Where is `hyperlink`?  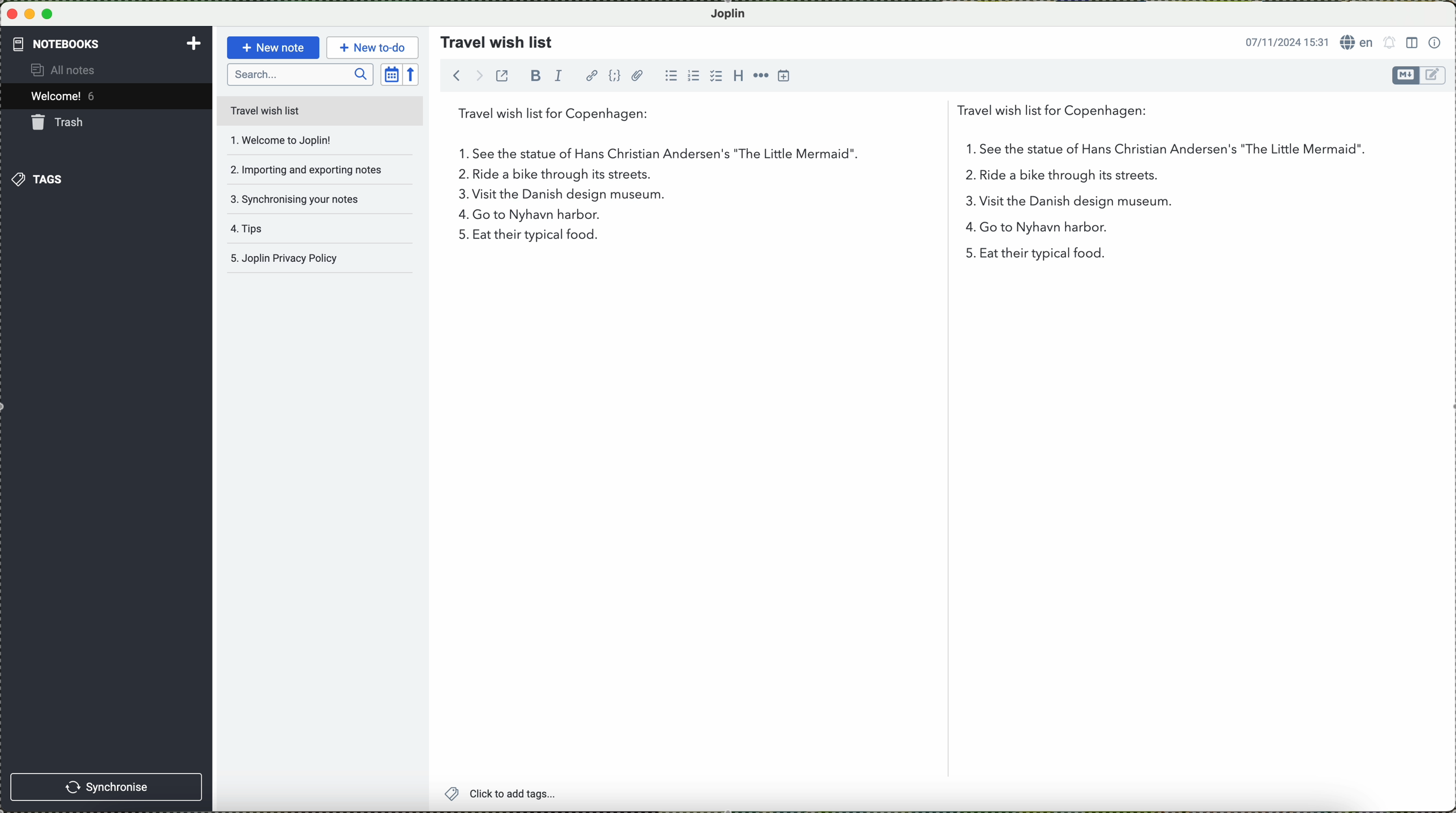 hyperlink is located at coordinates (591, 75).